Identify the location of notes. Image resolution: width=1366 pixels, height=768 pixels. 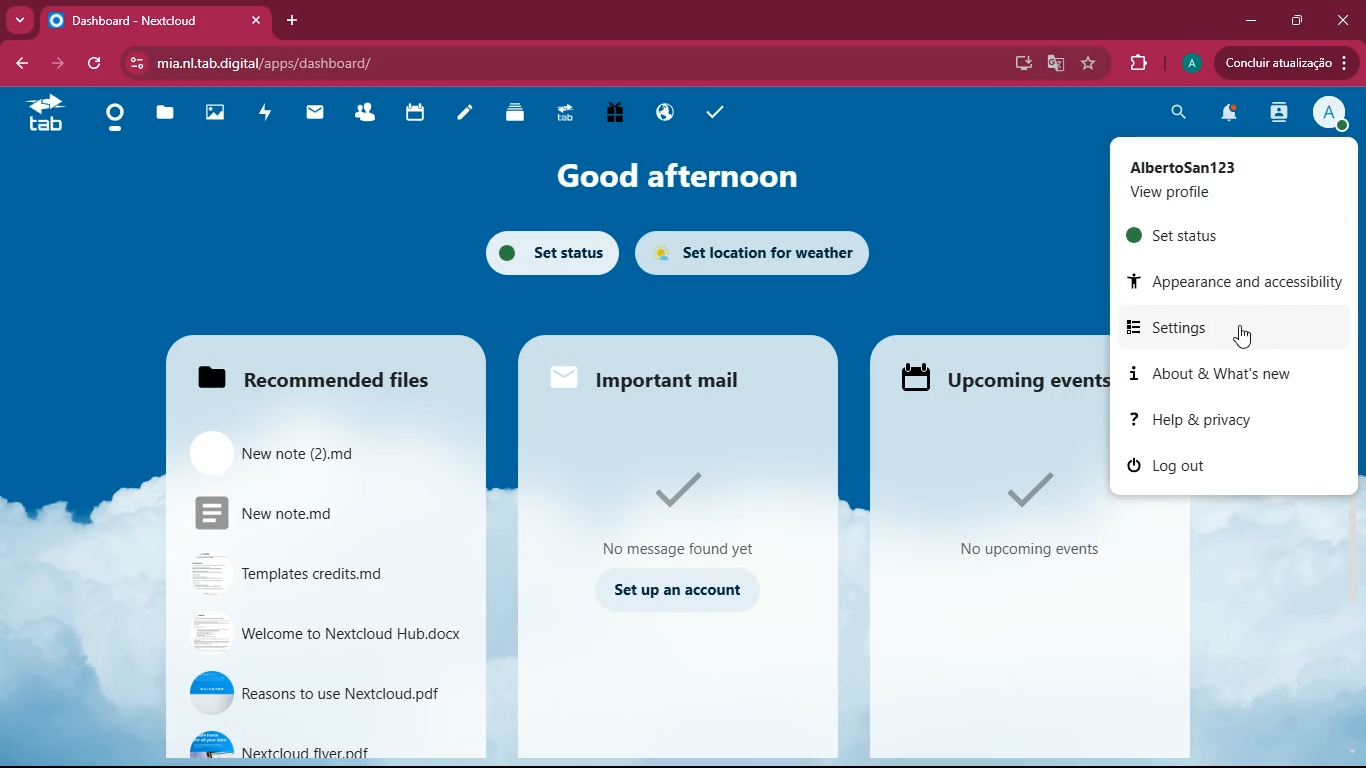
(467, 112).